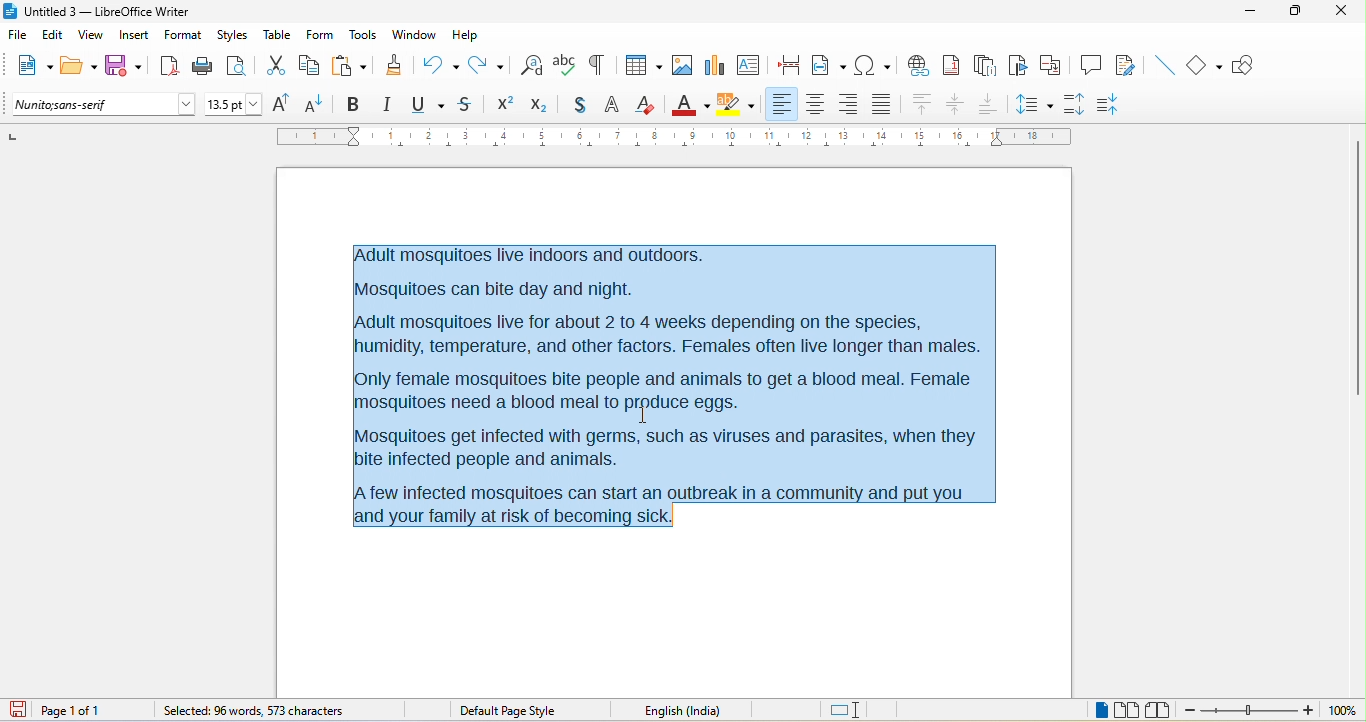 The height and width of the screenshot is (722, 1366). Describe the element at coordinates (690, 709) in the screenshot. I see `English (India)` at that location.